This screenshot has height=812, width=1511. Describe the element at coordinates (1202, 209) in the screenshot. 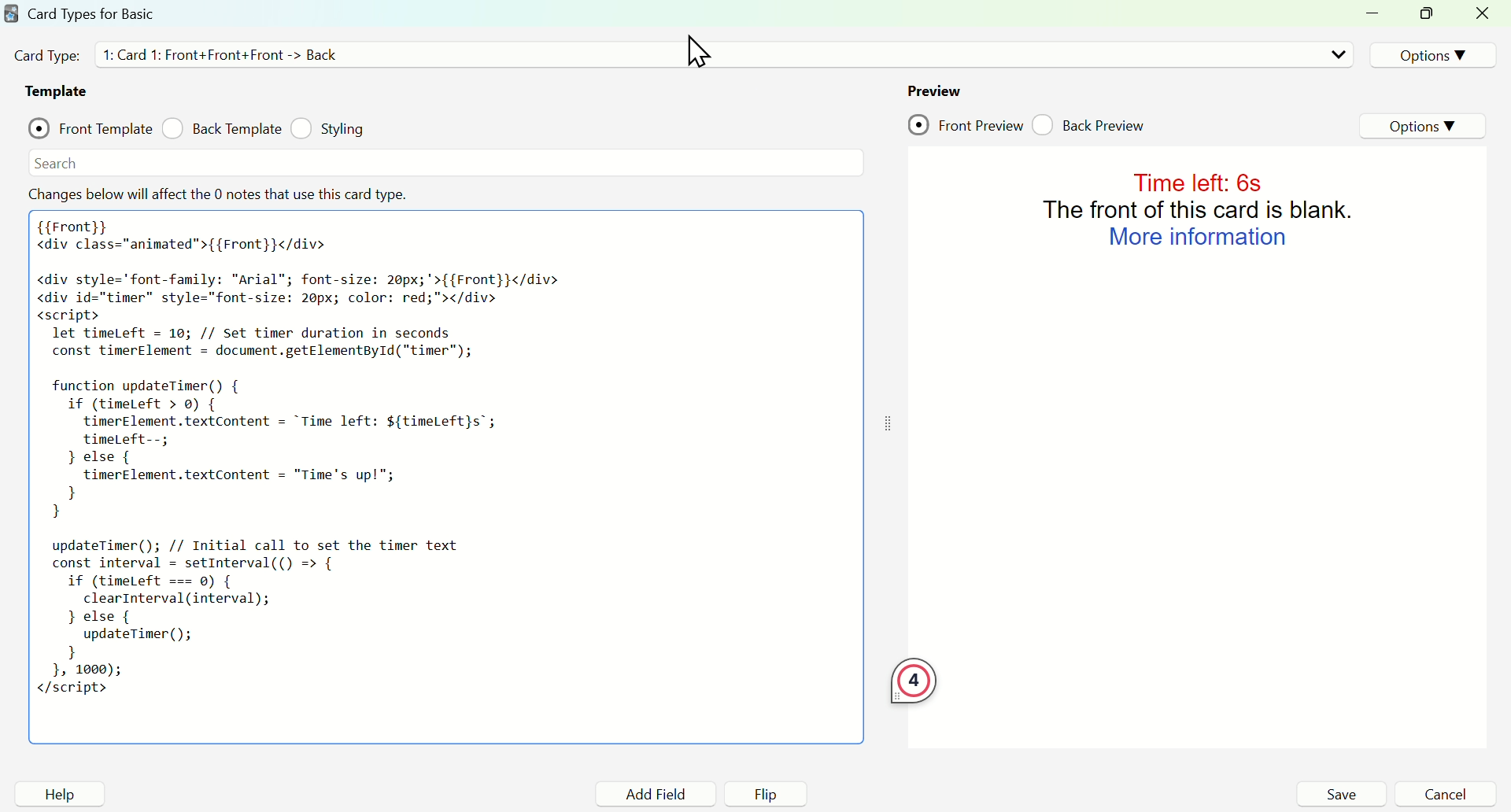

I see `The front of this card is blank.` at that location.